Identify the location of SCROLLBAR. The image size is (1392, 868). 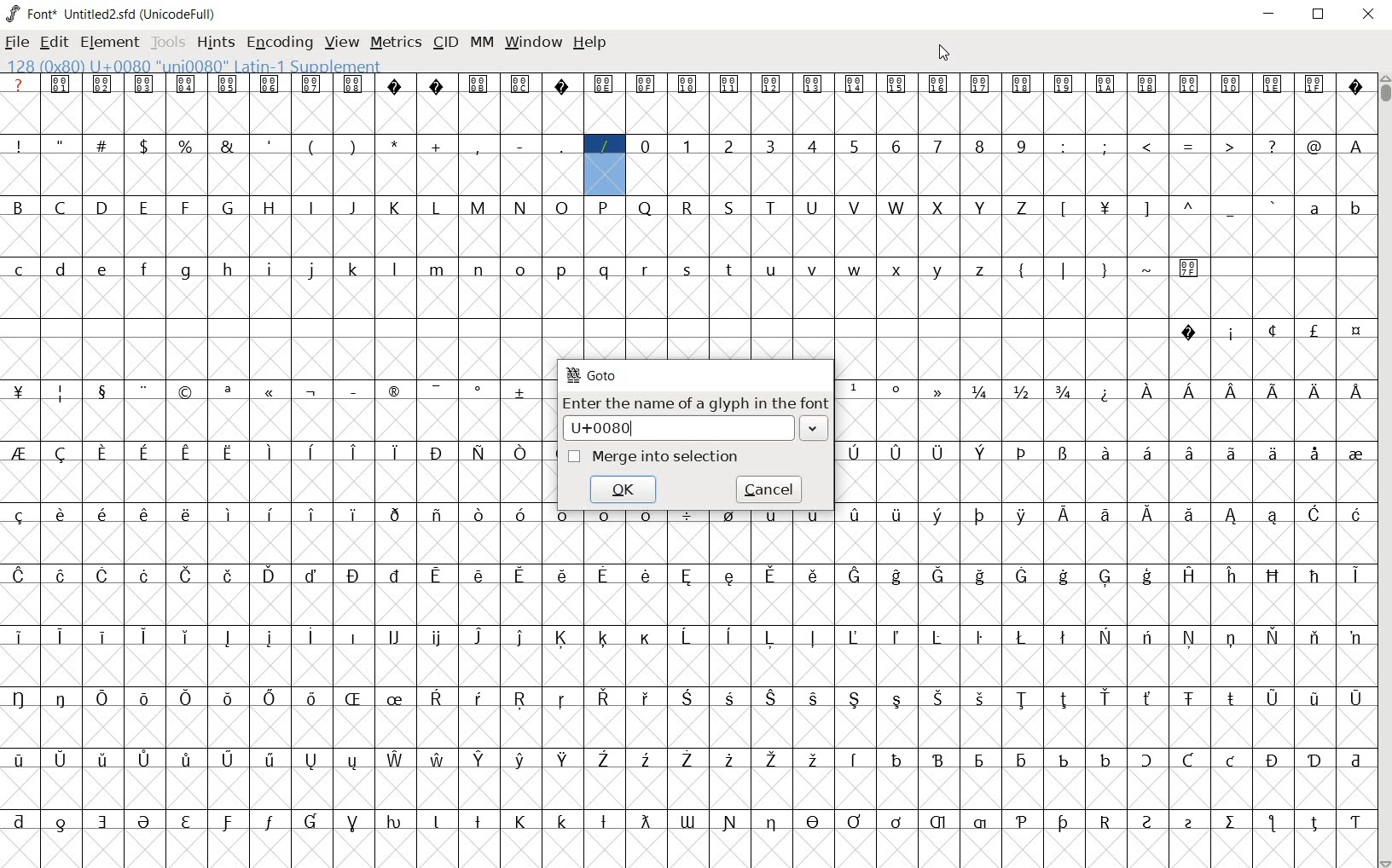
(1383, 472).